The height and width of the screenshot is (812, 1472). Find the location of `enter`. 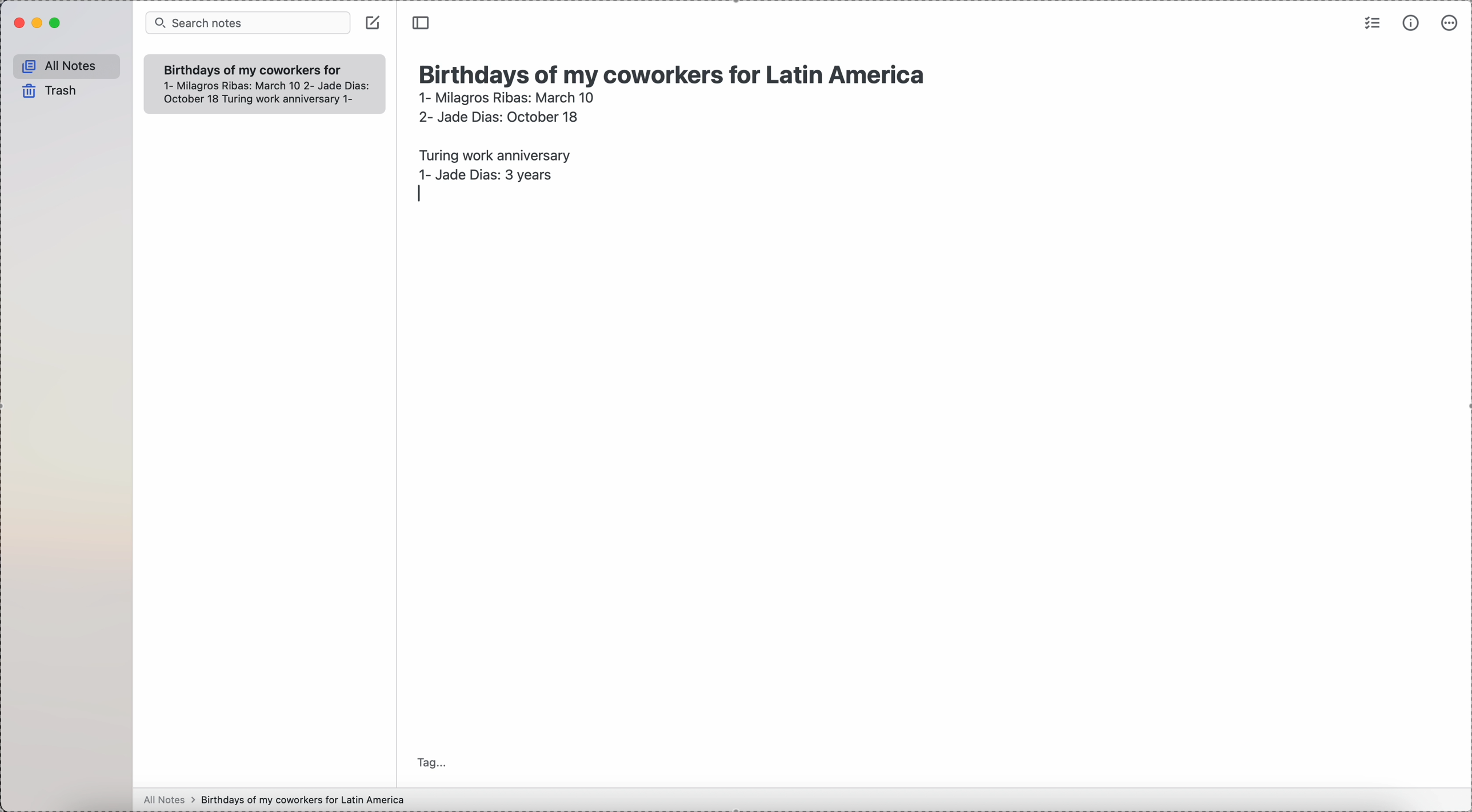

enter is located at coordinates (421, 193).